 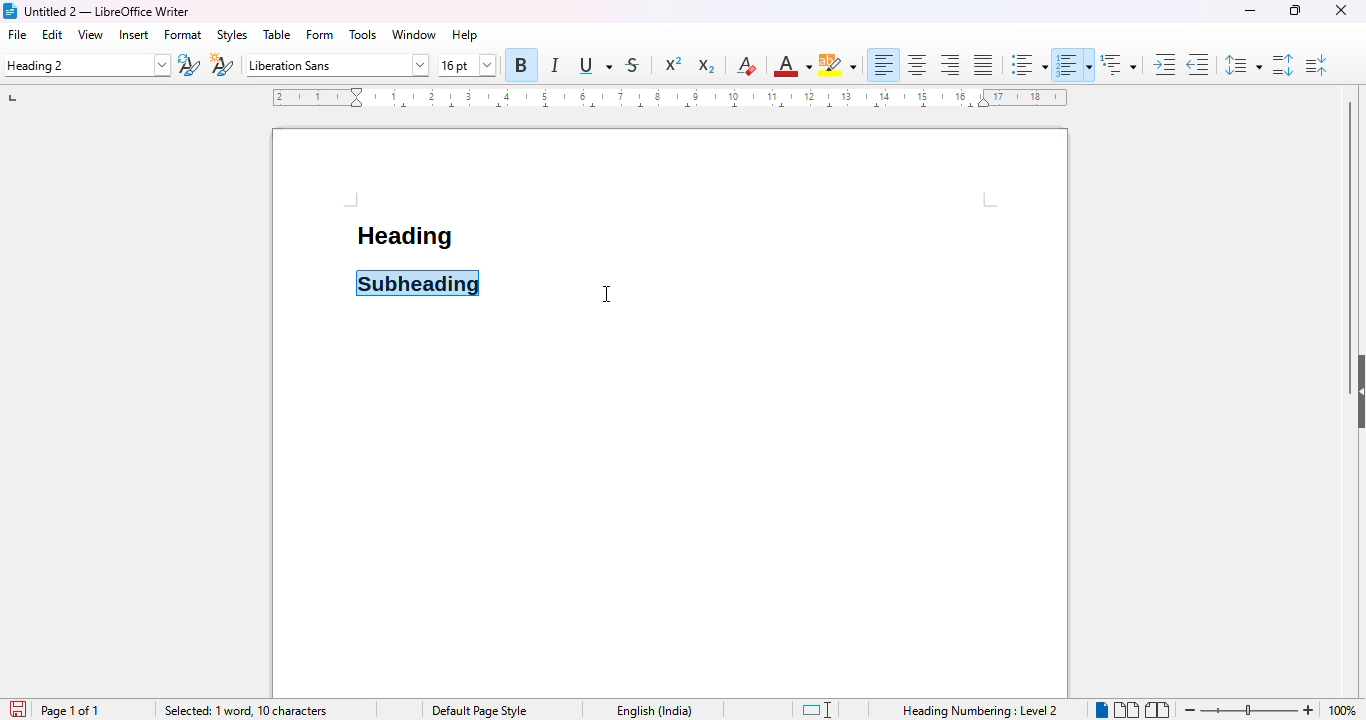 I want to click on minimize, so click(x=1250, y=11).